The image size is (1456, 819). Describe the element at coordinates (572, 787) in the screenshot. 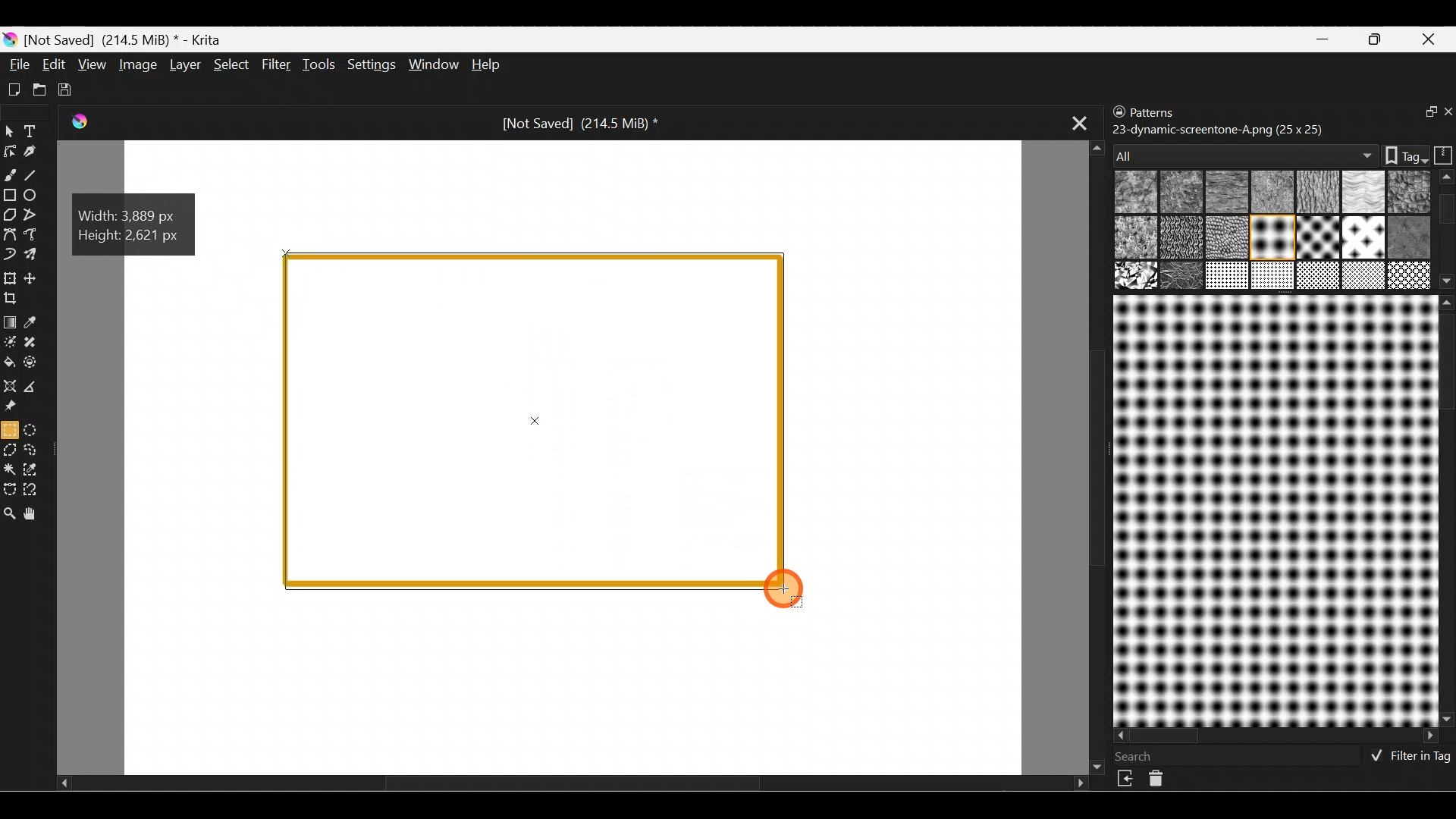

I see `Scroll tab` at that location.